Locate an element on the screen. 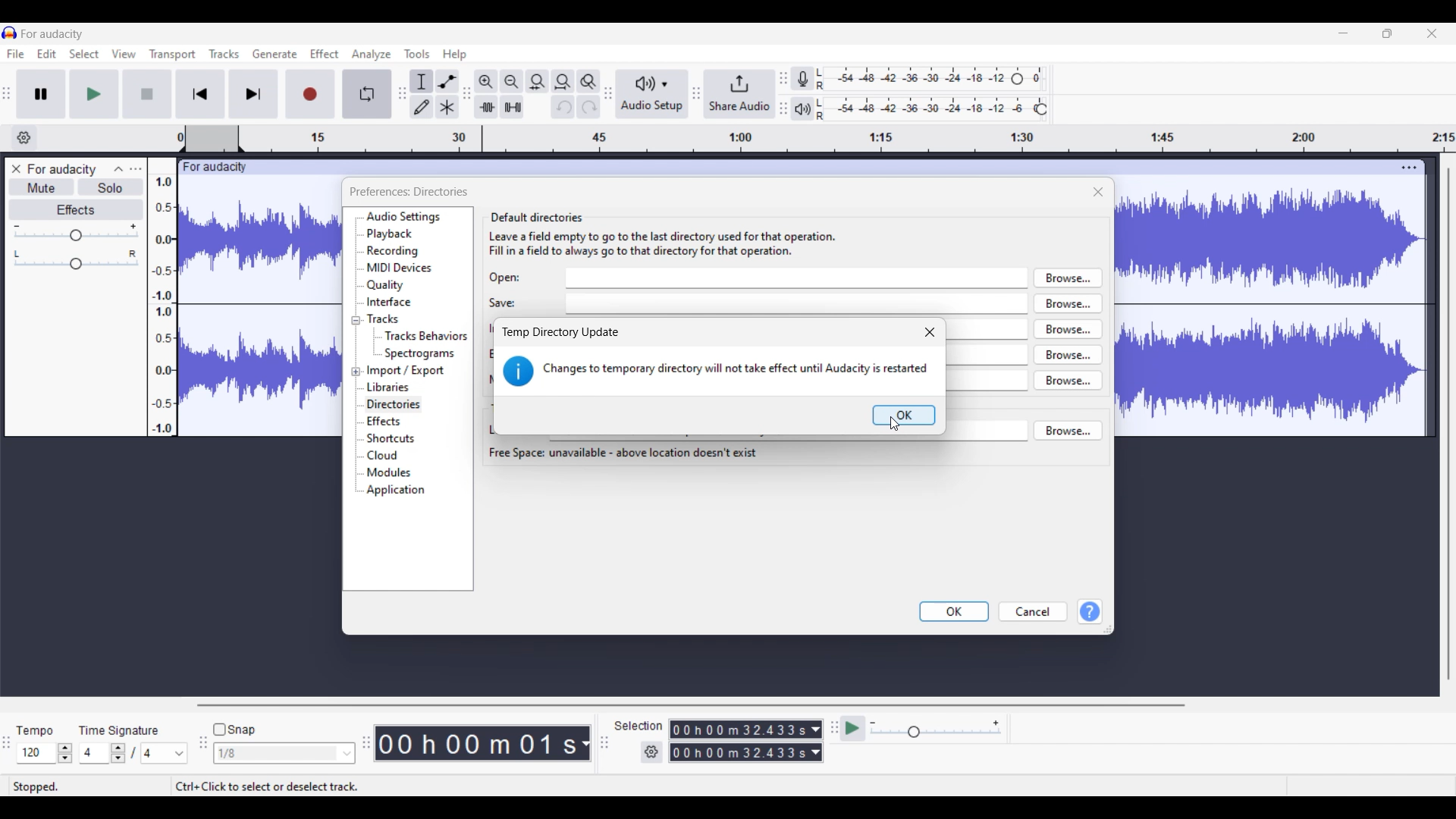 Image resolution: width=1456 pixels, height=819 pixels. Shortcuts is located at coordinates (391, 438).